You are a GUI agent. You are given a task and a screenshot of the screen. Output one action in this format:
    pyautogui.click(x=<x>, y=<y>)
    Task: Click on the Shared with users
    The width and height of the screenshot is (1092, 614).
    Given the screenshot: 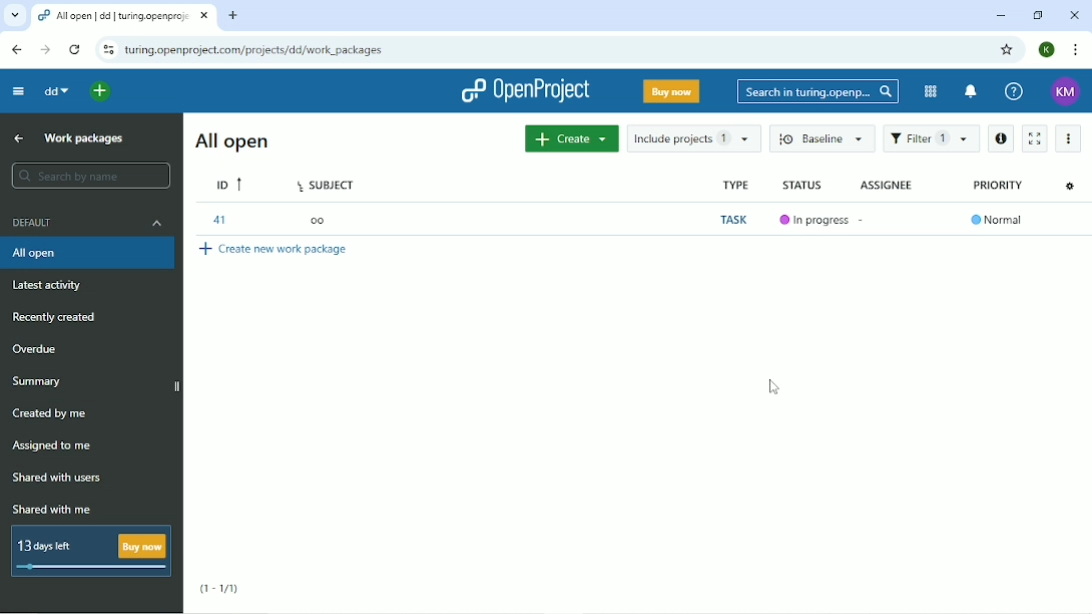 What is the action you would take?
    pyautogui.click(x=59, y=478)
    